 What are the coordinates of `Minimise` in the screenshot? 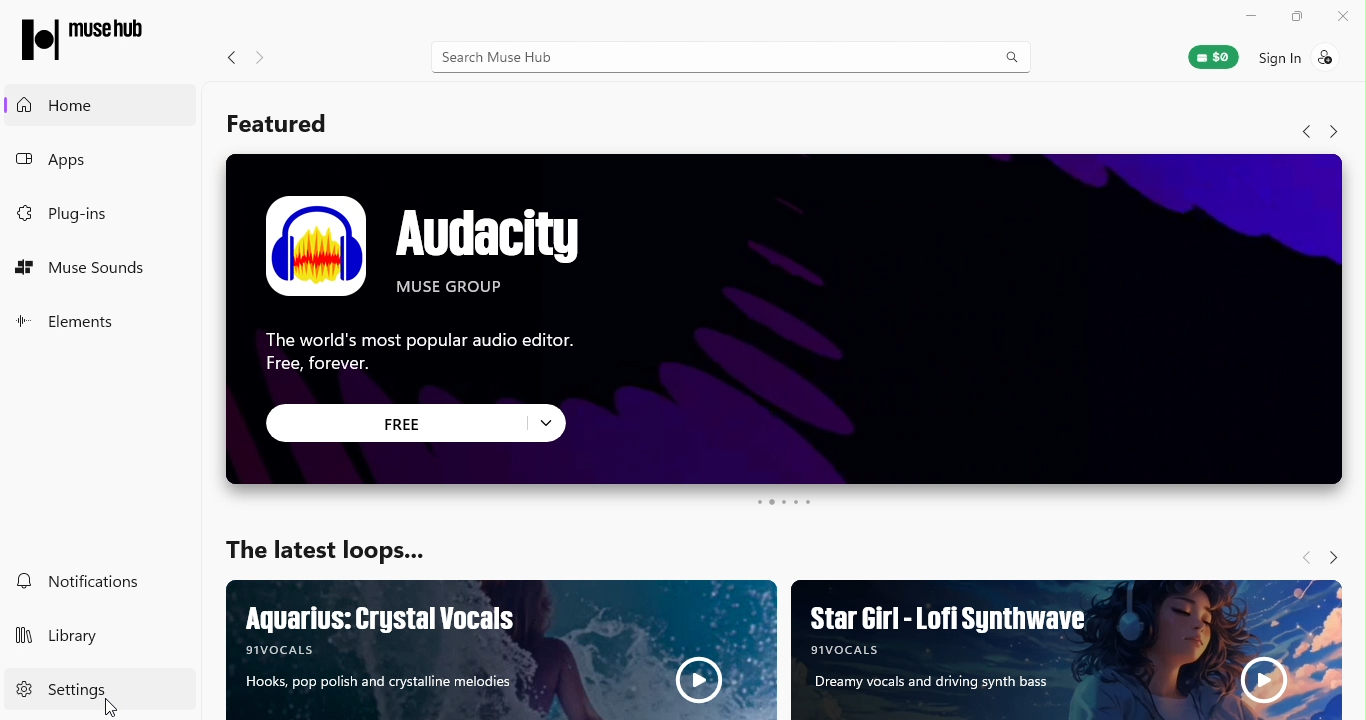 It's located at (1251, 17).